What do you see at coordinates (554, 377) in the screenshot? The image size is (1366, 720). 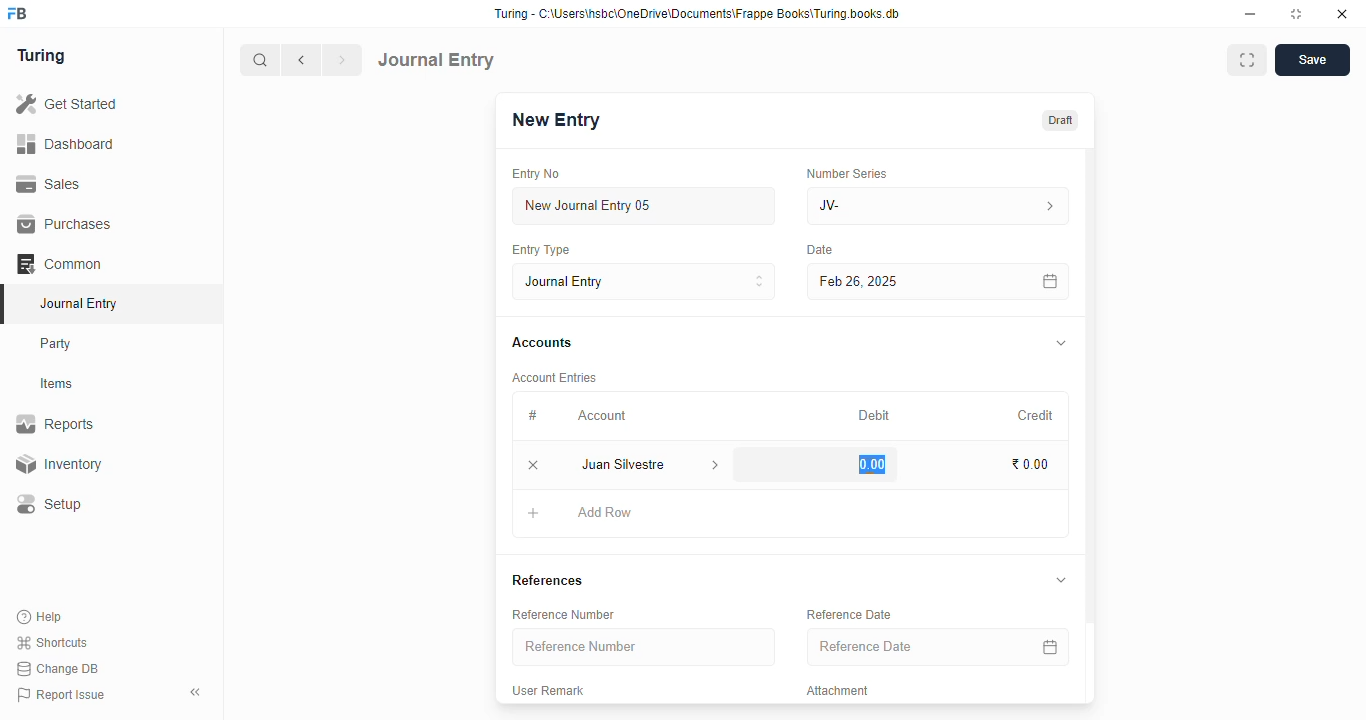 I see `account entries` at bounding box center [554, 377].